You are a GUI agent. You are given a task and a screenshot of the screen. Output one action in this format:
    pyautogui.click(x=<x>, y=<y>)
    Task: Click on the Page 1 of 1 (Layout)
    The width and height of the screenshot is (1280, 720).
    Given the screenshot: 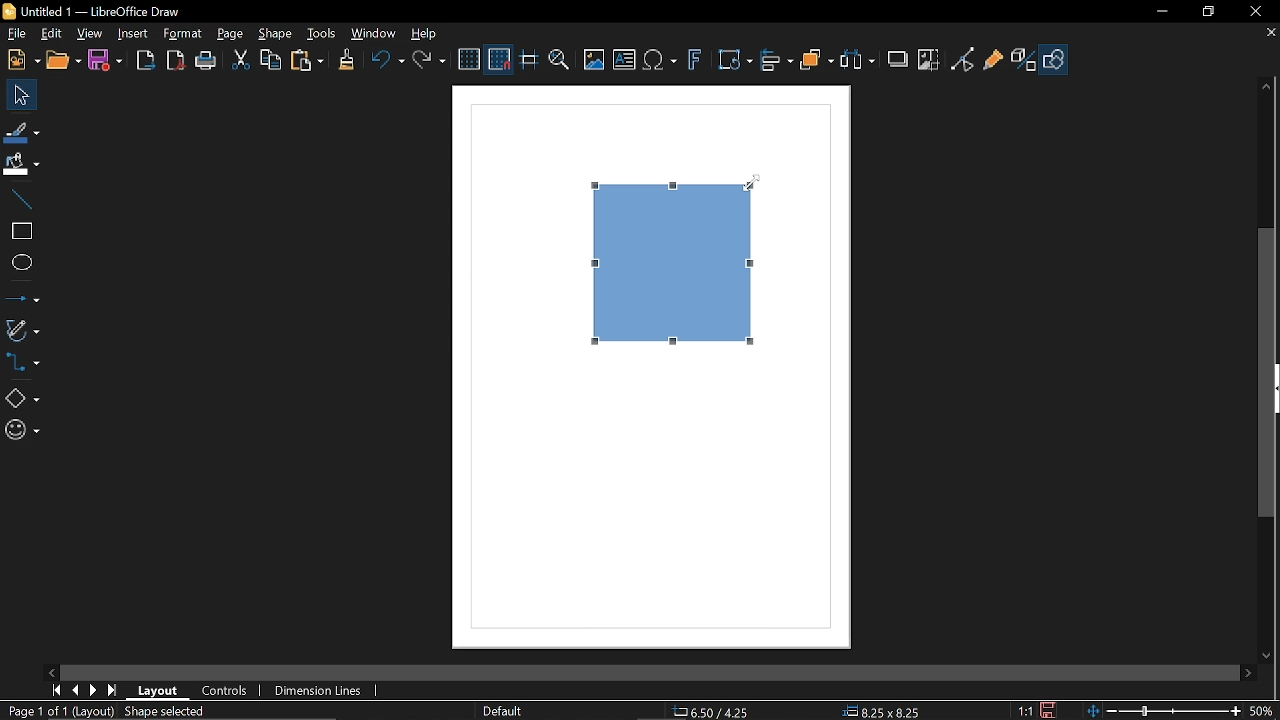 What is the action you would take?
    pyautogui.click(x=58, y=712)
    